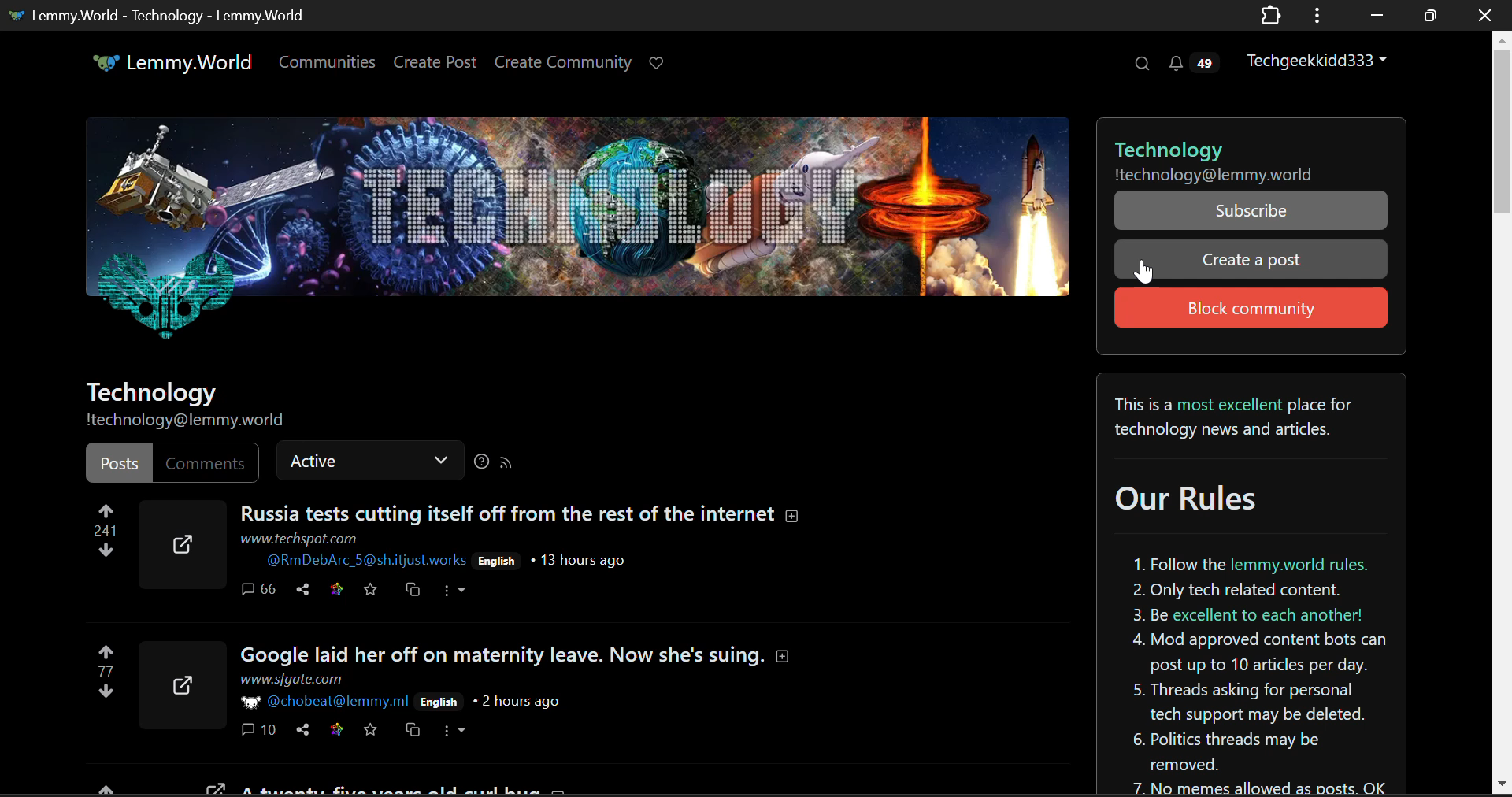 The image size is (1512, 797). I want to click on Technology, so click(150, 393).